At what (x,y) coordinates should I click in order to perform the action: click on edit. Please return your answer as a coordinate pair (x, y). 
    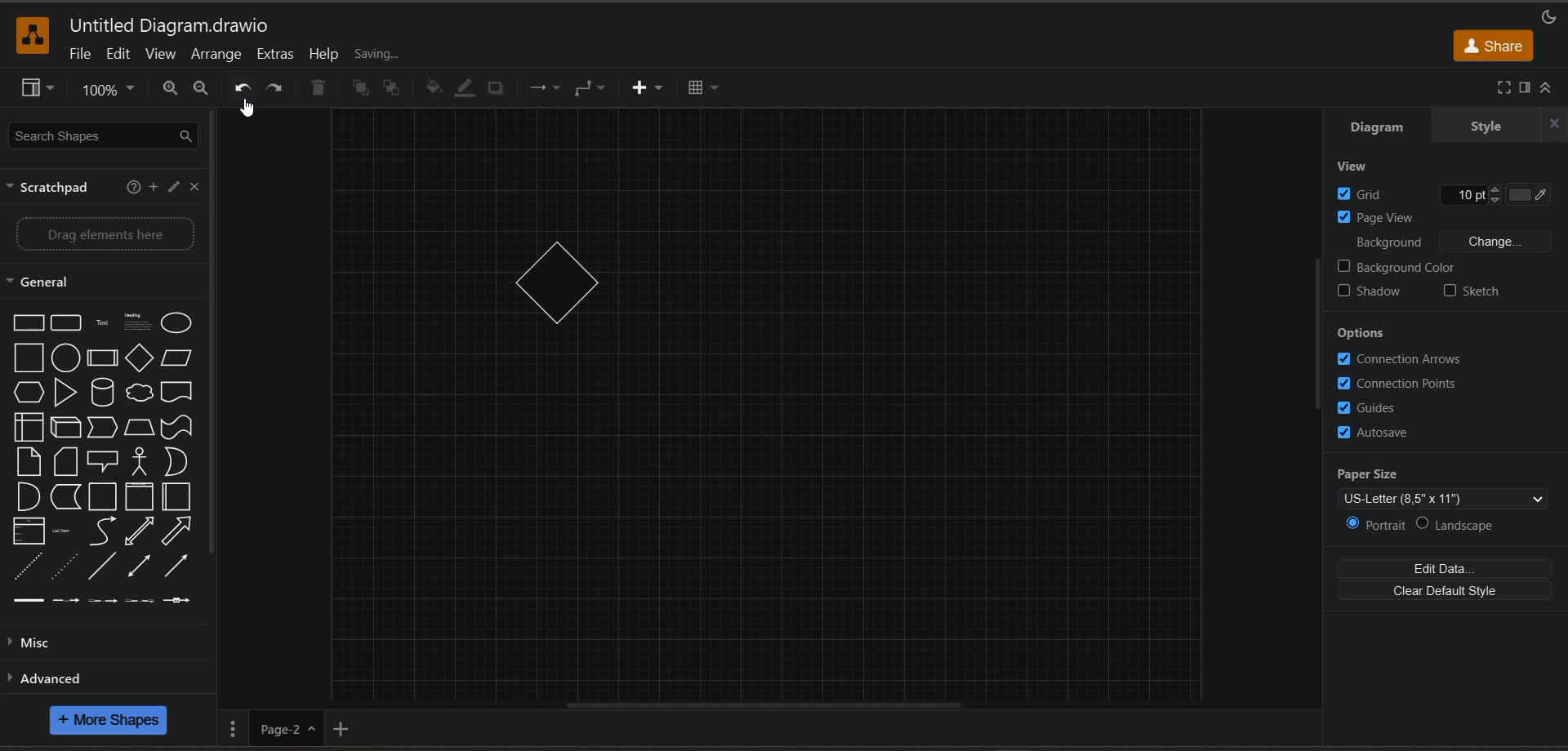
    Looking at the image, I should click on (175, 189).